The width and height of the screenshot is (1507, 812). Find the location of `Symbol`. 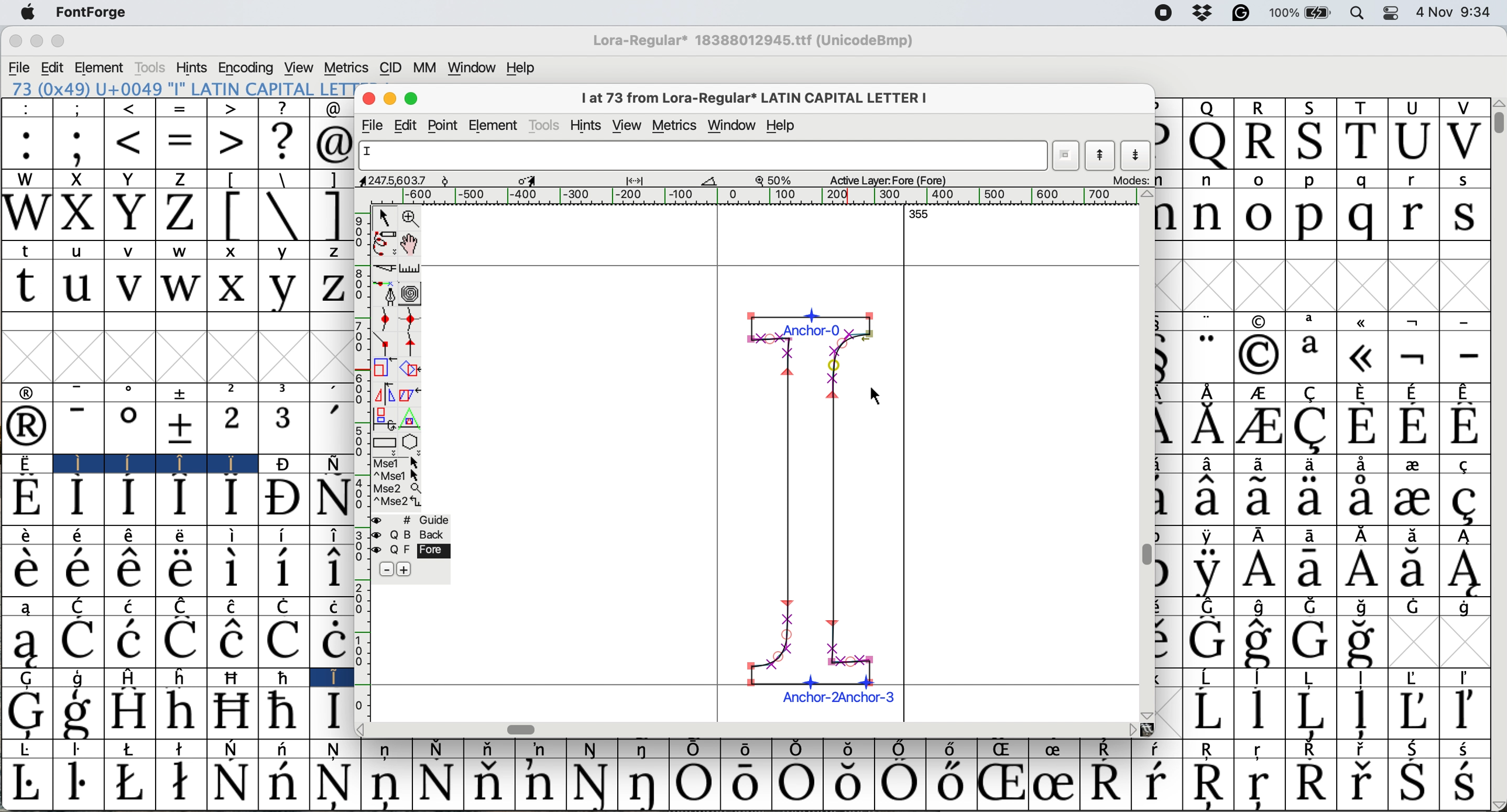

Symbol is located at coordinates (1363, 390).